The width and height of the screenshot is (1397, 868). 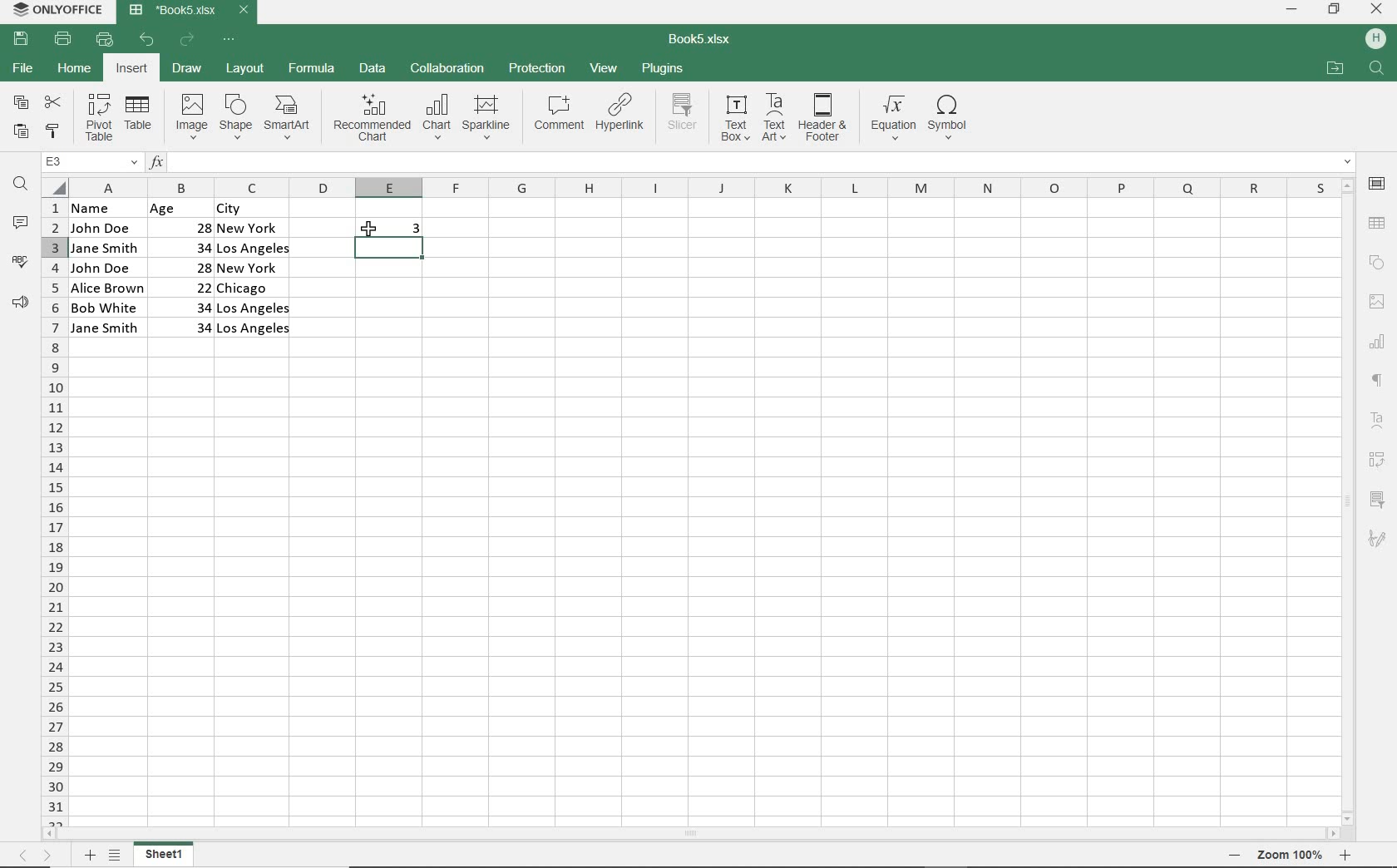 What do you see at coordinates (189, 116) in the screenshot?
I see `IMAGE` at bounding box center [189, 116].